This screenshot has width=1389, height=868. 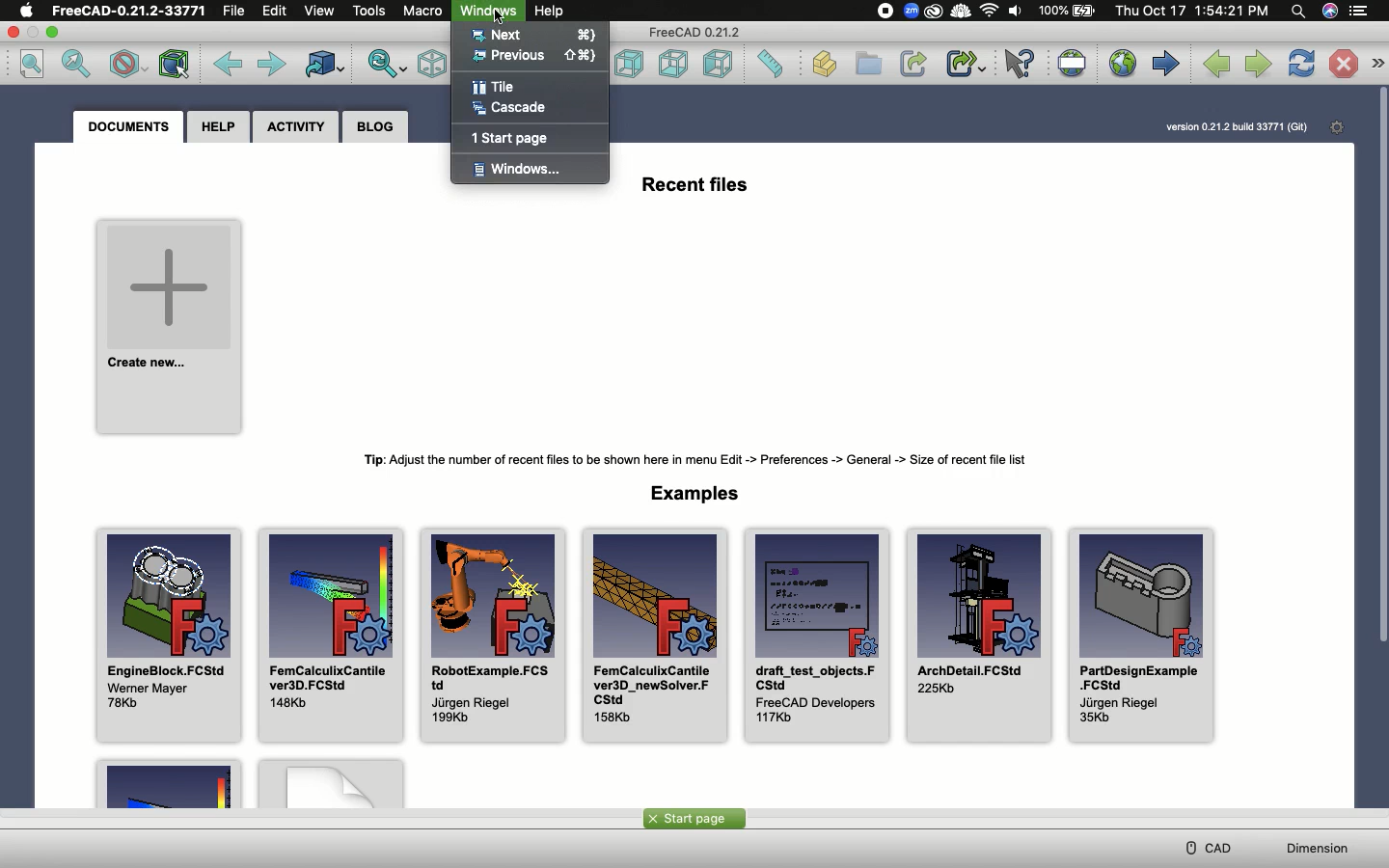 What do you see at coordinates (1377, 64) in the screenshot?
I see `Navigation` at bounding box center [1377, 64].